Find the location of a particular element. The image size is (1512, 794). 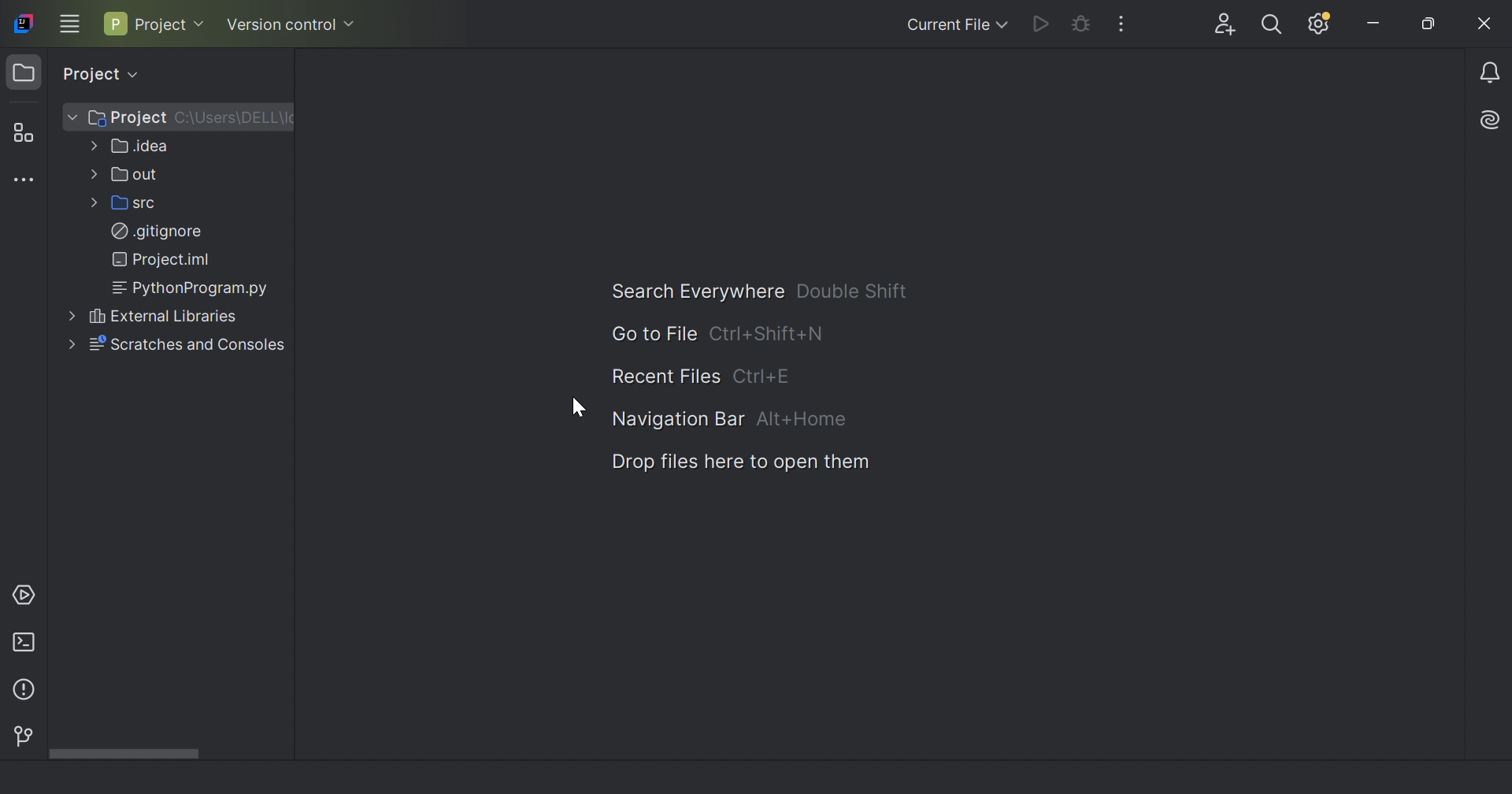

Ctrl+Sfift+N is located at coordinates (764, 333).